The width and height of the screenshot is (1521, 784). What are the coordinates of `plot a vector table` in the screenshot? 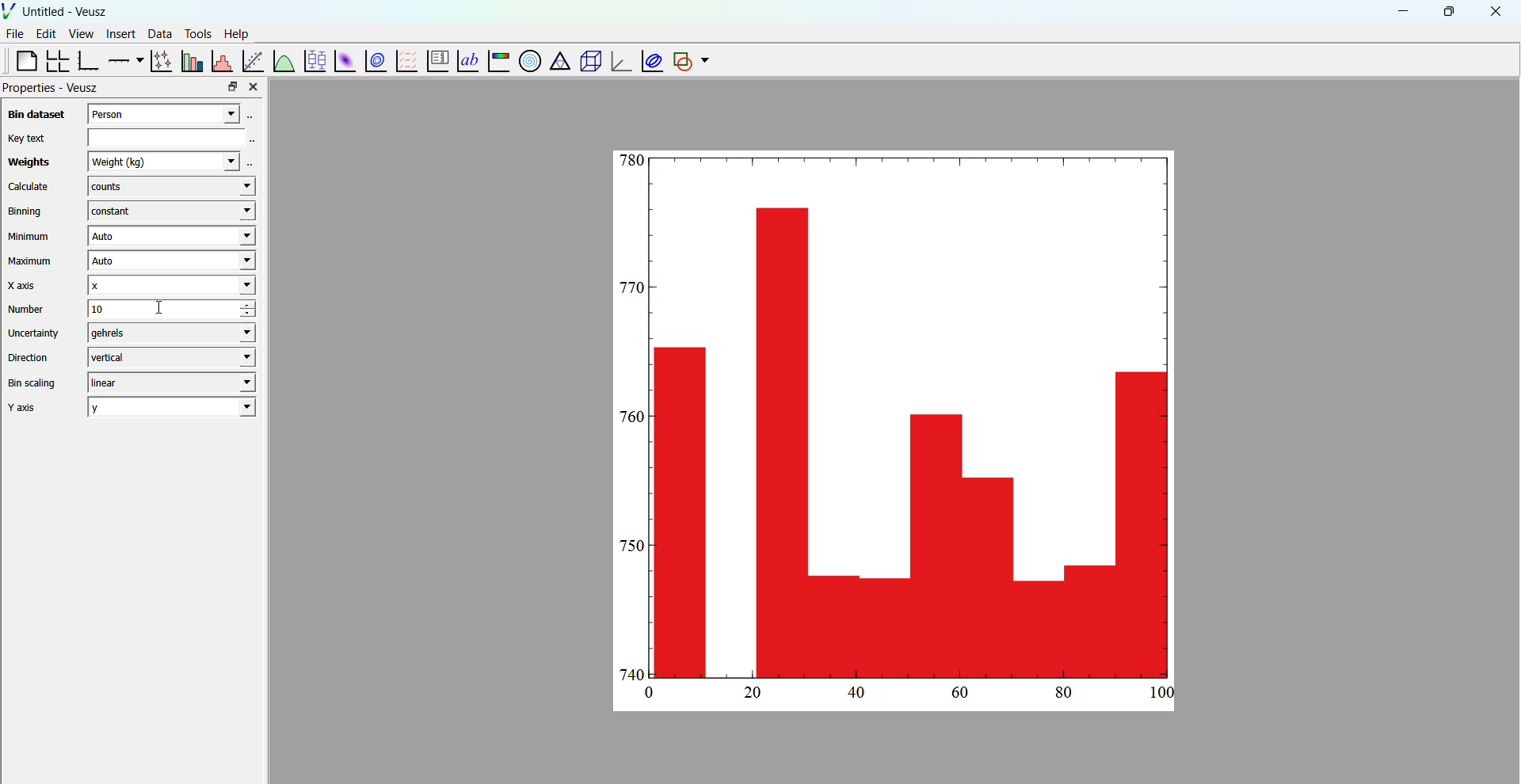 It's located at (405, 60).